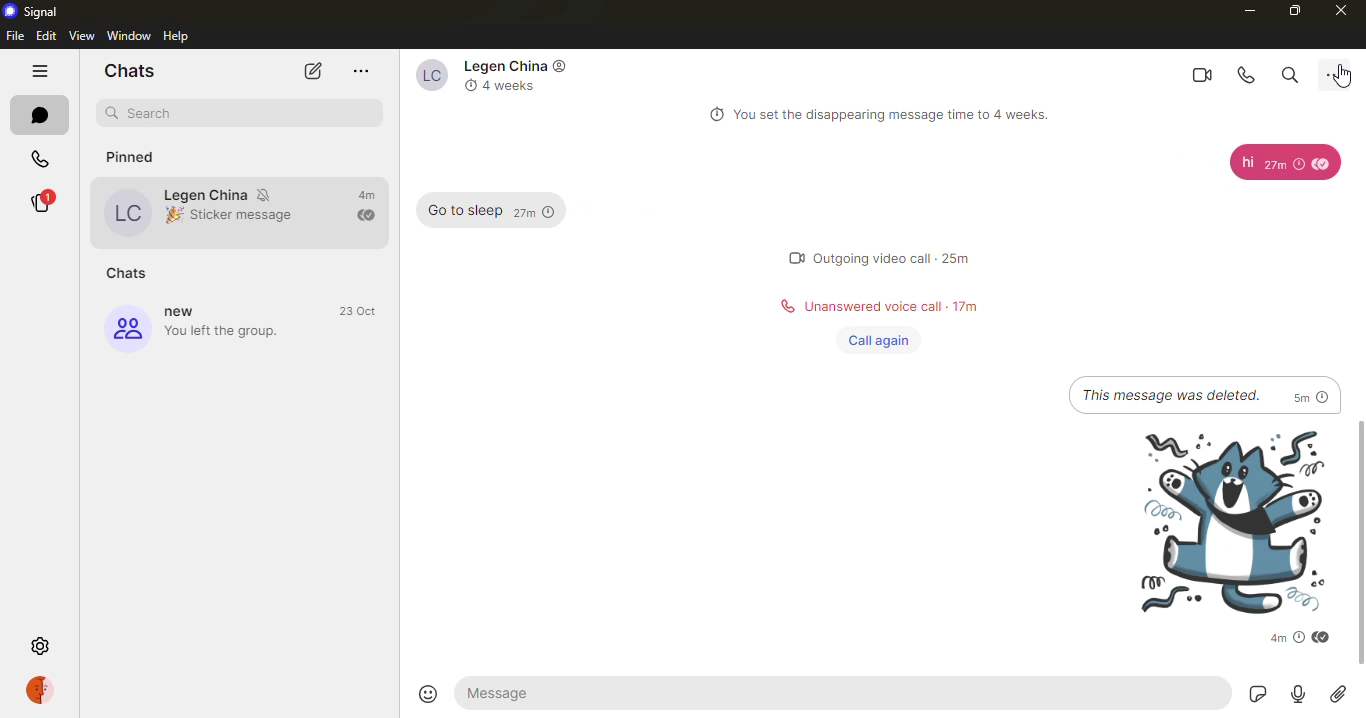 Image resolution: width=1366 pixels, height=718 pixels. What do you see at coordinates (1196, 72) in the screenshot?
I see `video call` at bounding box center [1196, 72].